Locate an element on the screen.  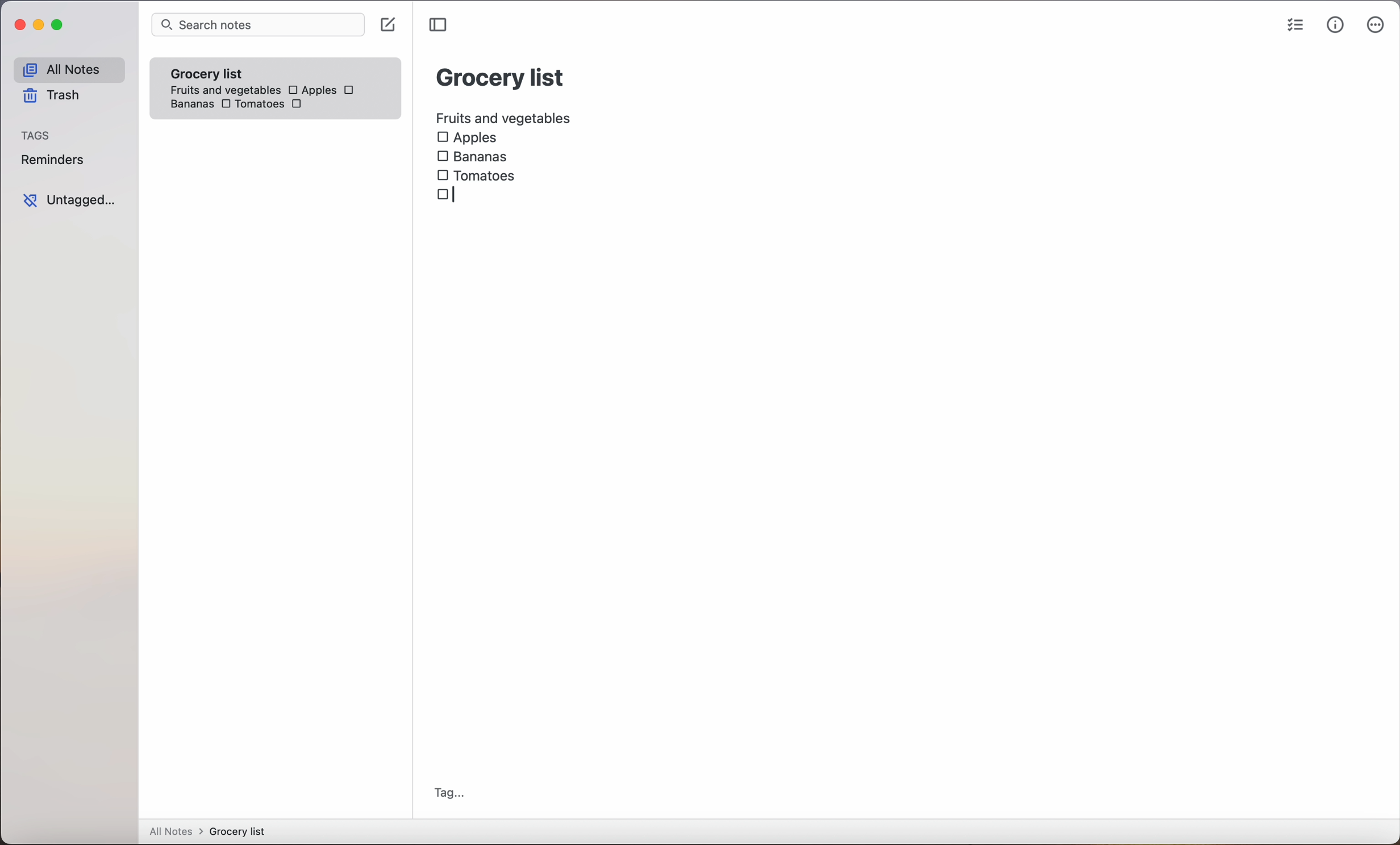
close Simplenote is located at coordinates (19, 26).